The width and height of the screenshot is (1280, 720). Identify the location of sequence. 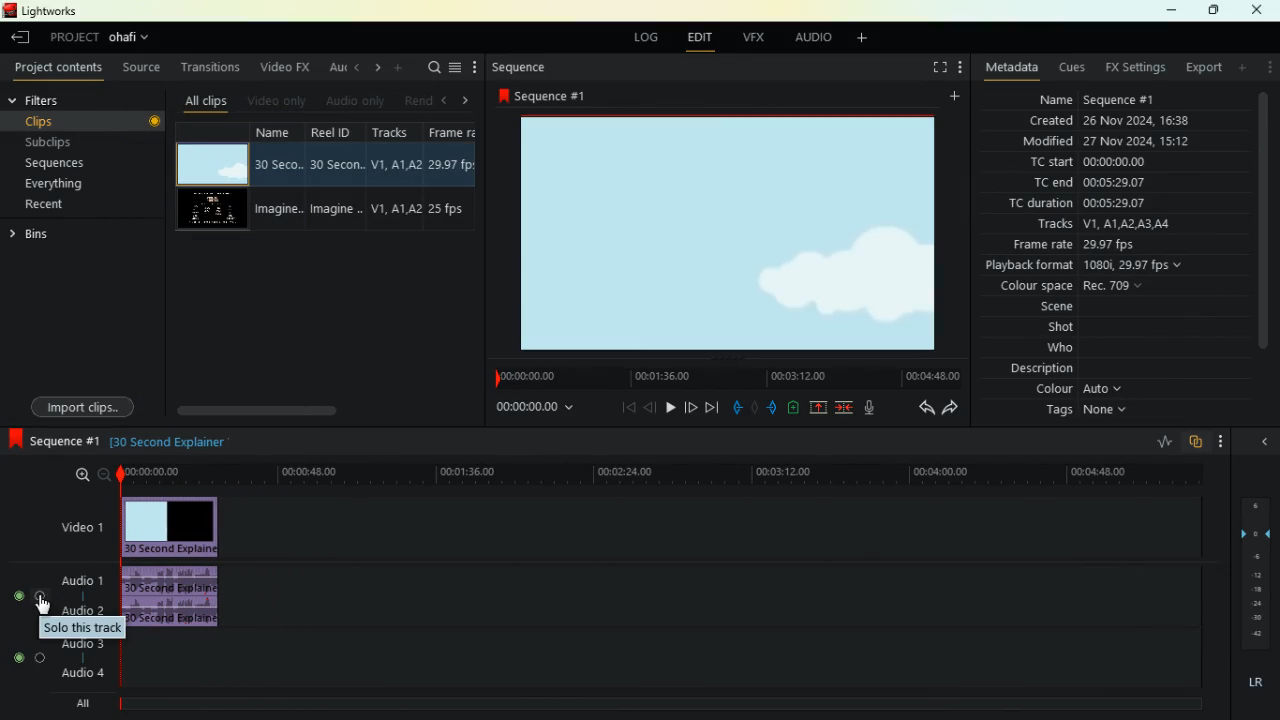
(51, 441).